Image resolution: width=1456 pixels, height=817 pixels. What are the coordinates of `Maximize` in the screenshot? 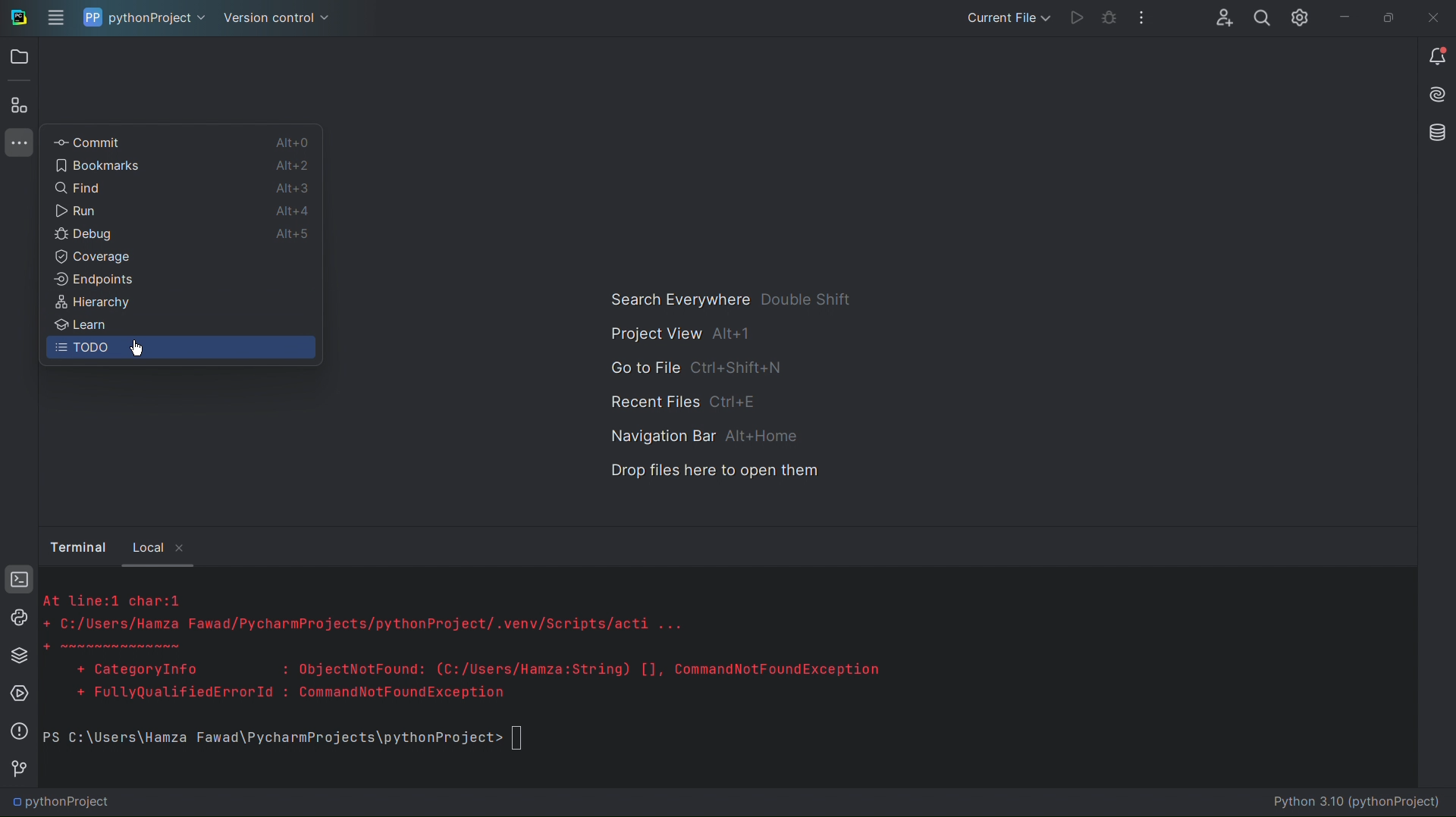 It's located at (1390, 14).